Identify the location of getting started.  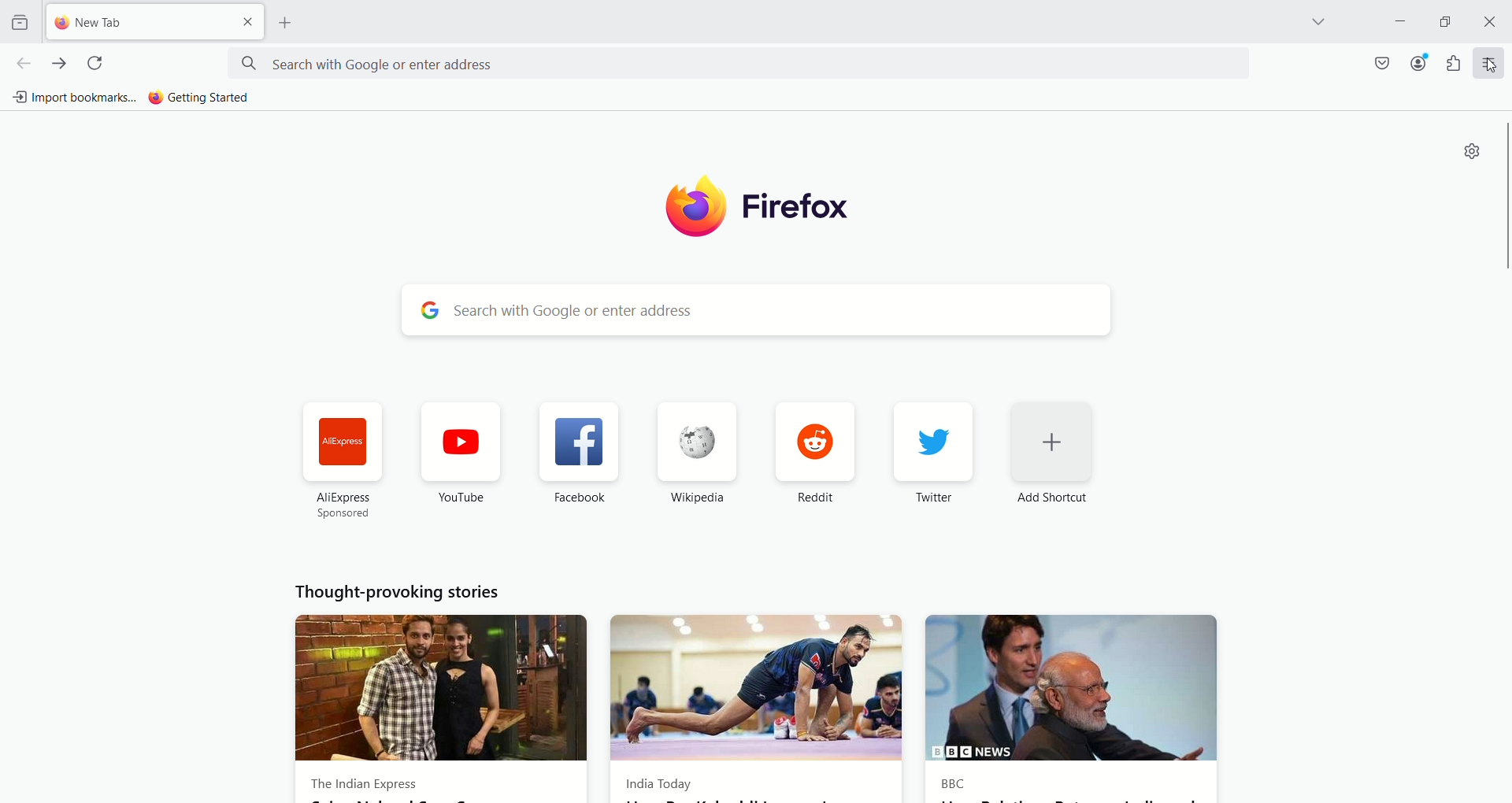
(202, 94).